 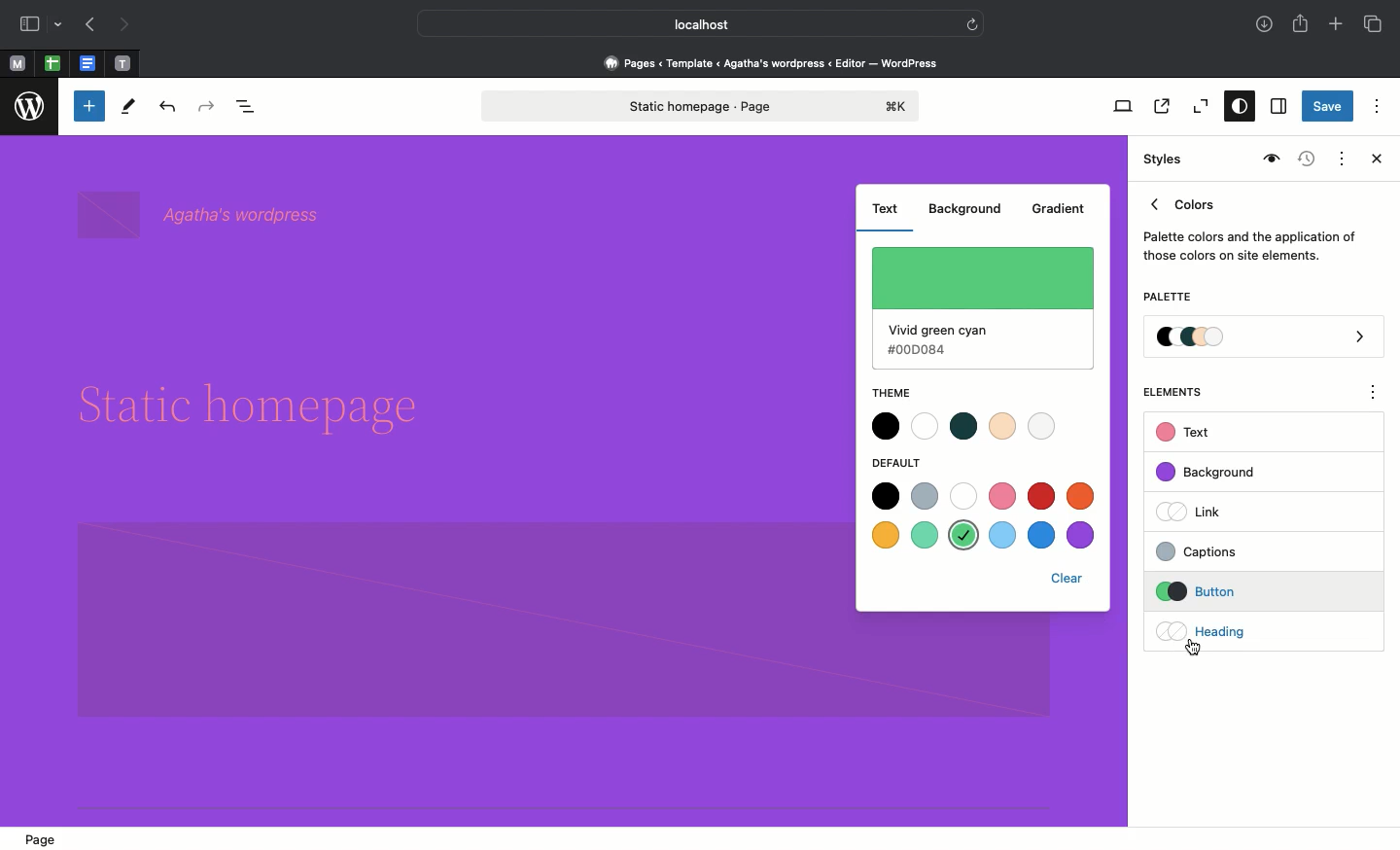 I want to click on Undo, so click(x=167, y=108).